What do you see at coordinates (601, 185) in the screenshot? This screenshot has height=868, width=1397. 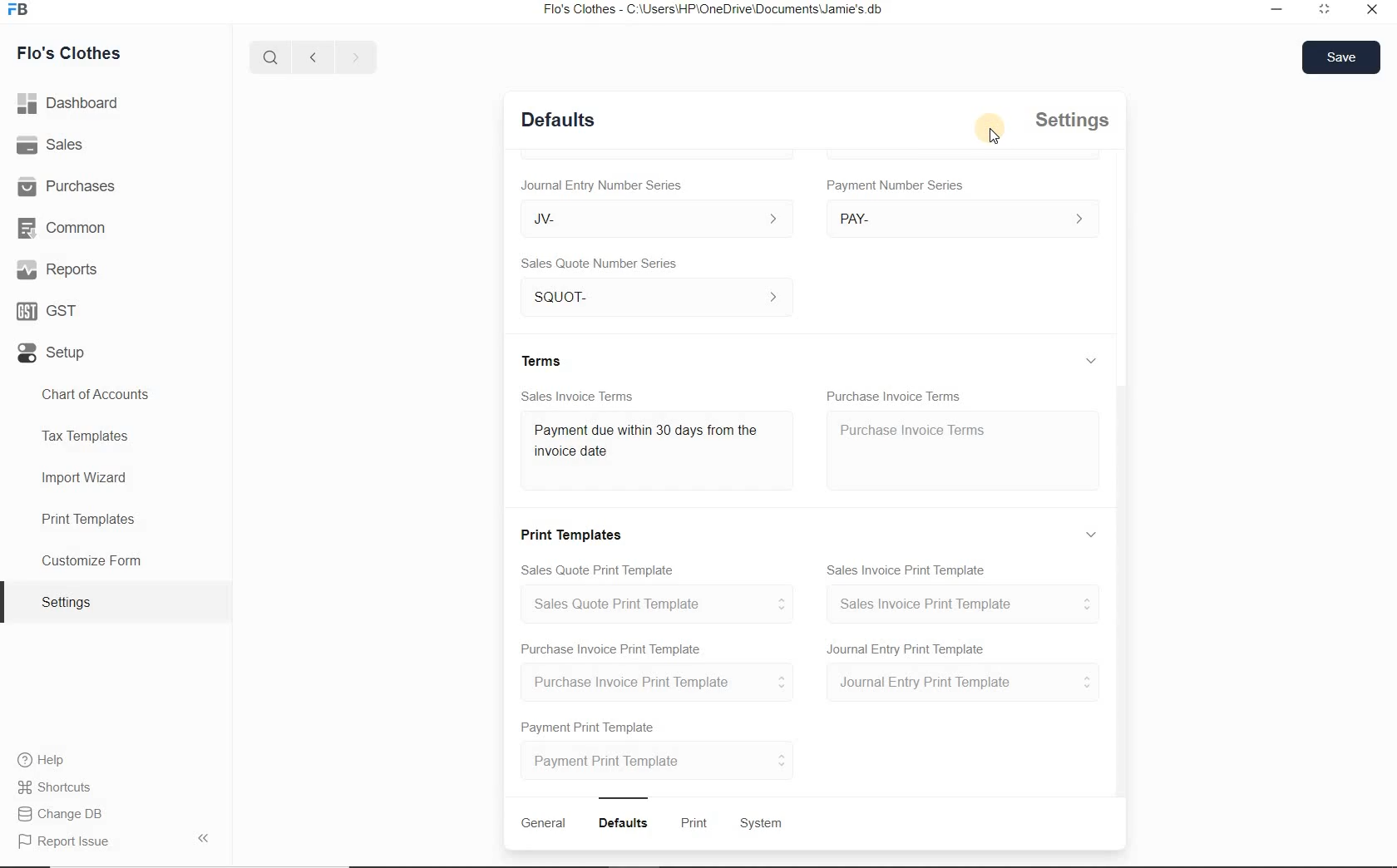 I see `Journal Entry Number Series` at bounding box center [601, 185].